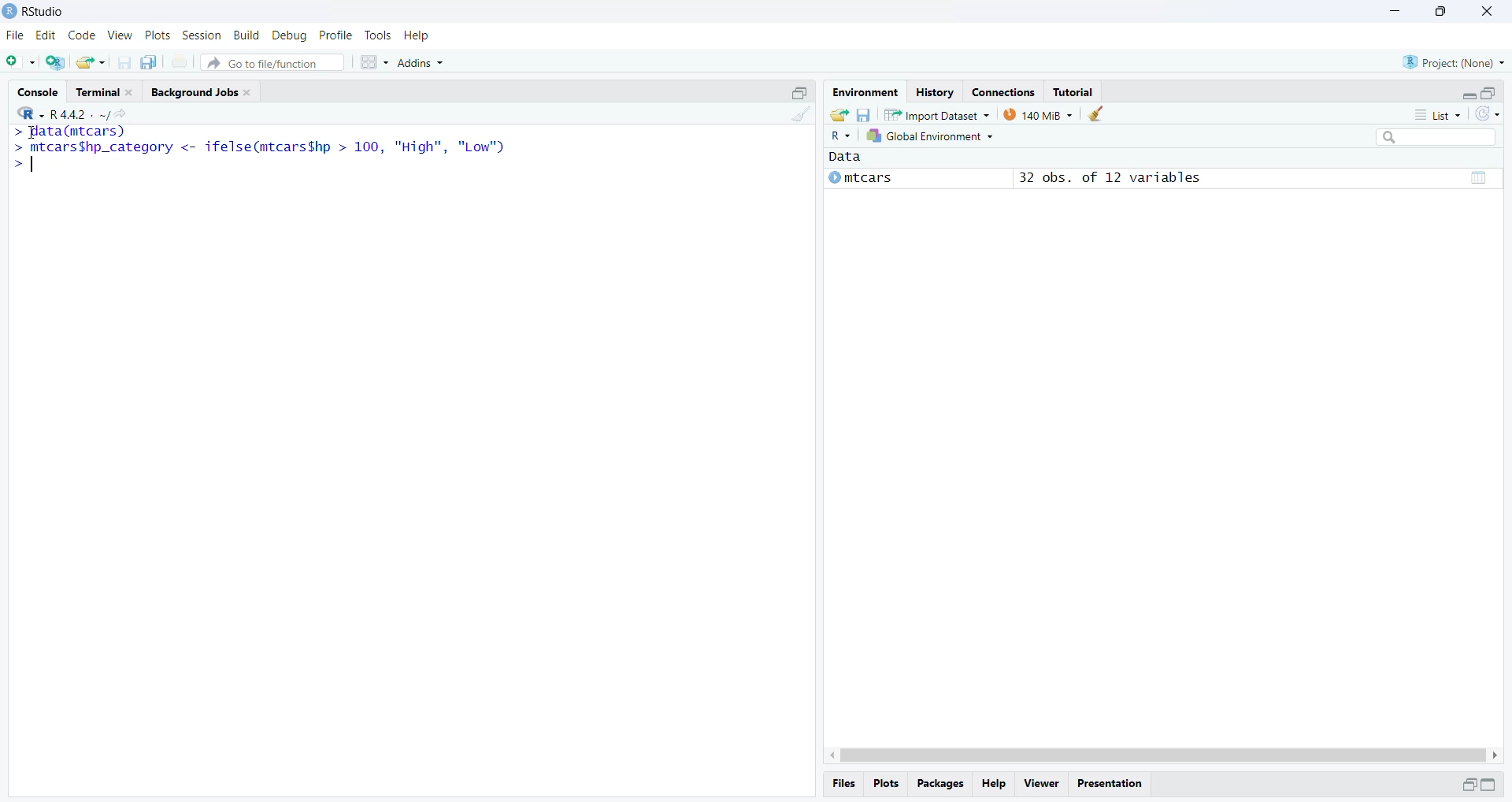 Image resolution: width=1512 pixels, height=802 pixels. Describe the element at coordinates (798, 123) in the screenshot. I see `Clear console (Ctrl +L)` at that location.